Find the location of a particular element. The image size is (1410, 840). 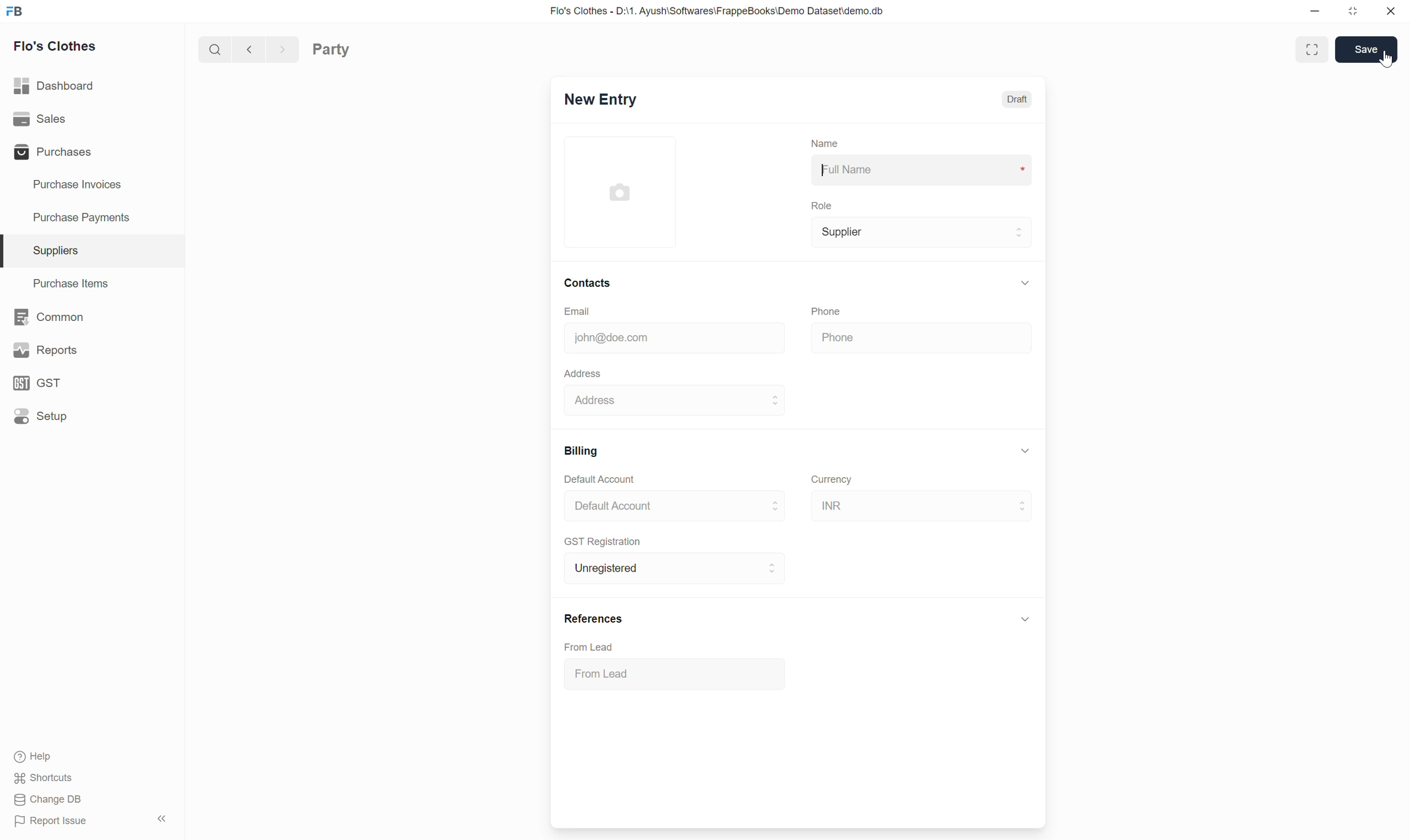

GST Registration is located at coordinates (603, 542).